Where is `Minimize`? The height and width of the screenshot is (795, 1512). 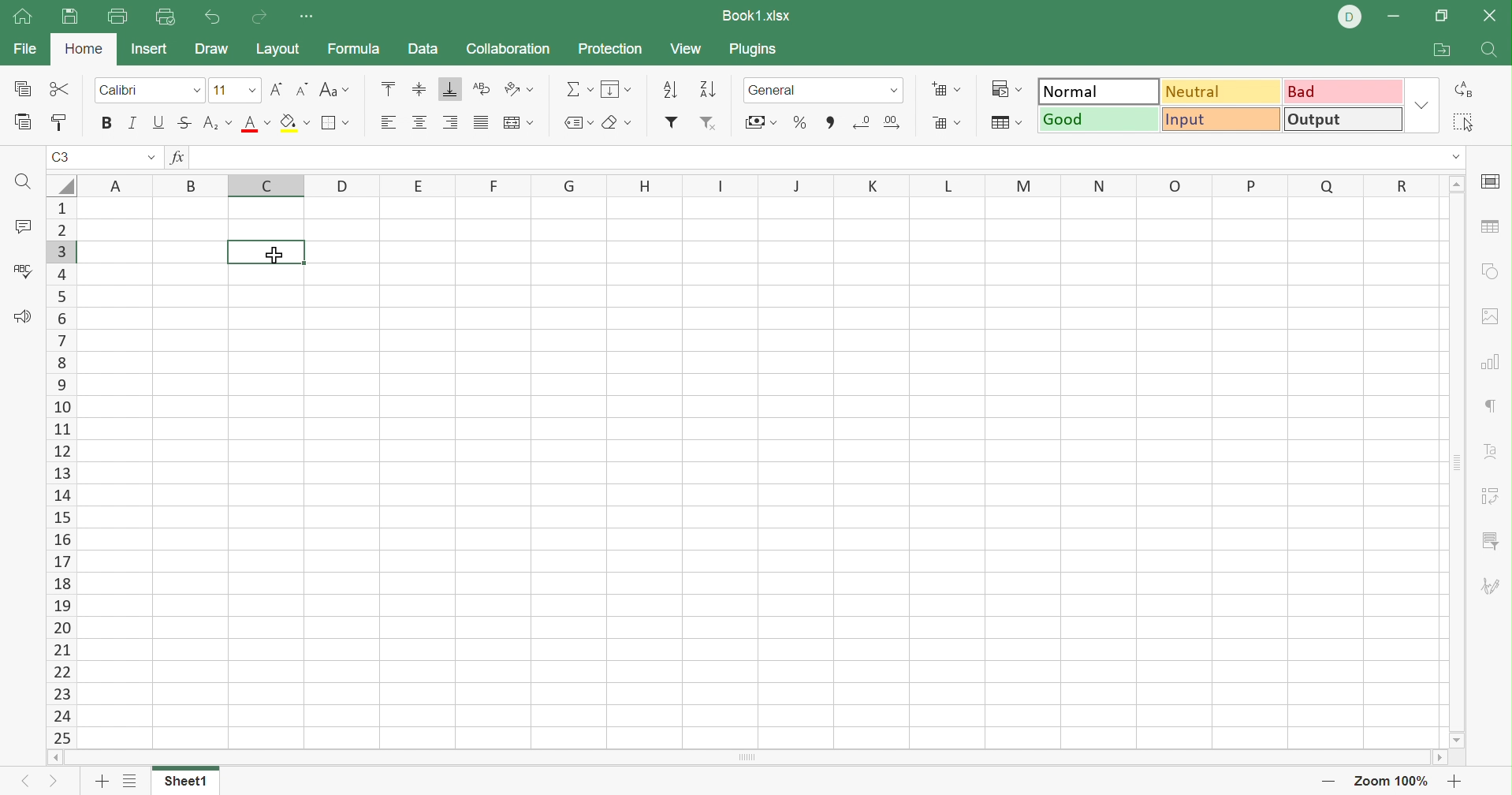
Minimize is located at coordinates (1392, 17).